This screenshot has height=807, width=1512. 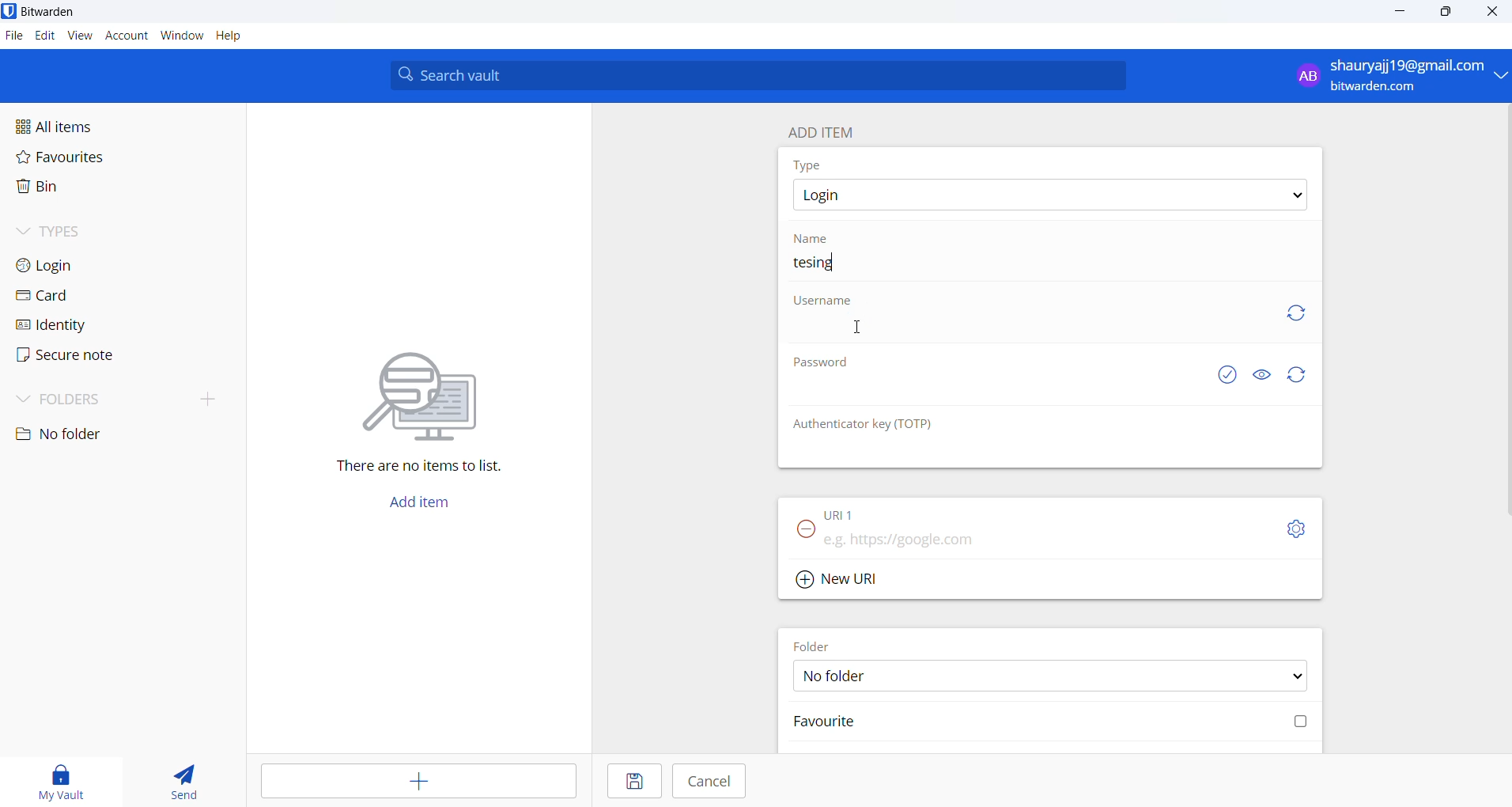 I want to click on sign in and sign out options, so click(x=1397, y=76).